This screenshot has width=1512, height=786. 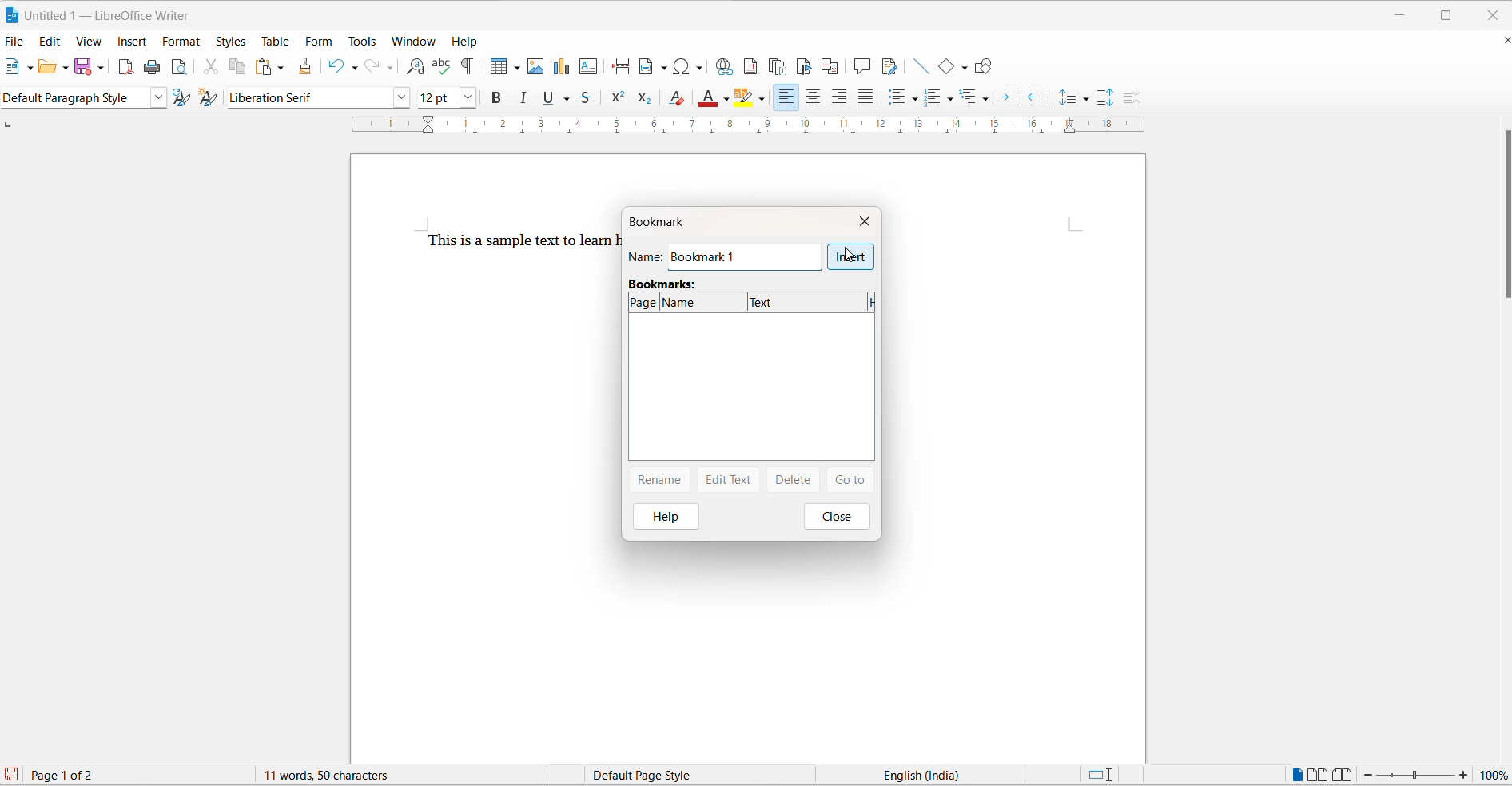 What do you see at coordinates (1091, 100) in the screenshot?
I see `line spacing options` at bounding box center [1091, 100].